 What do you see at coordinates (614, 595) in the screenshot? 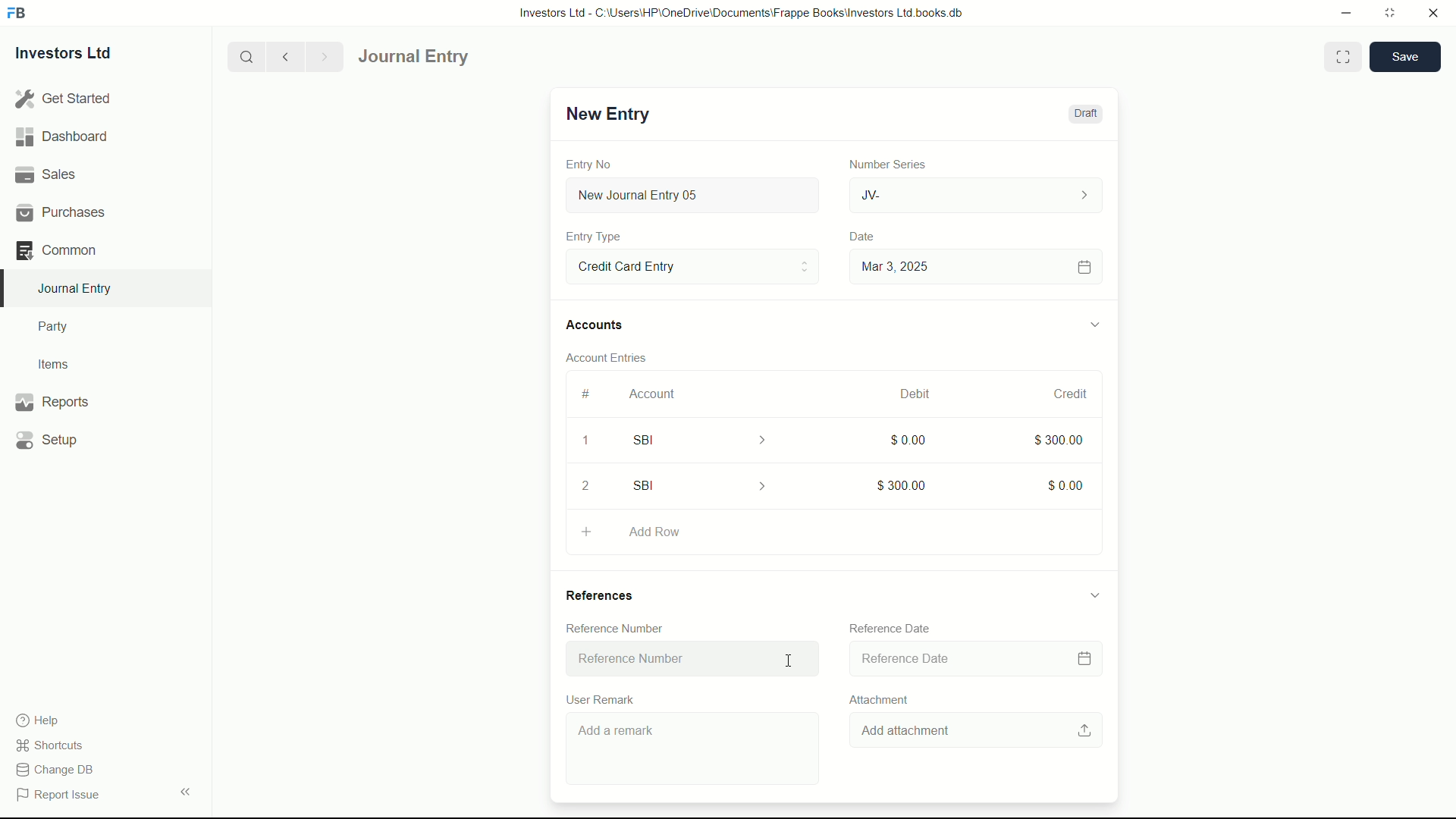
I see `References` at bounding box center [614, 595].